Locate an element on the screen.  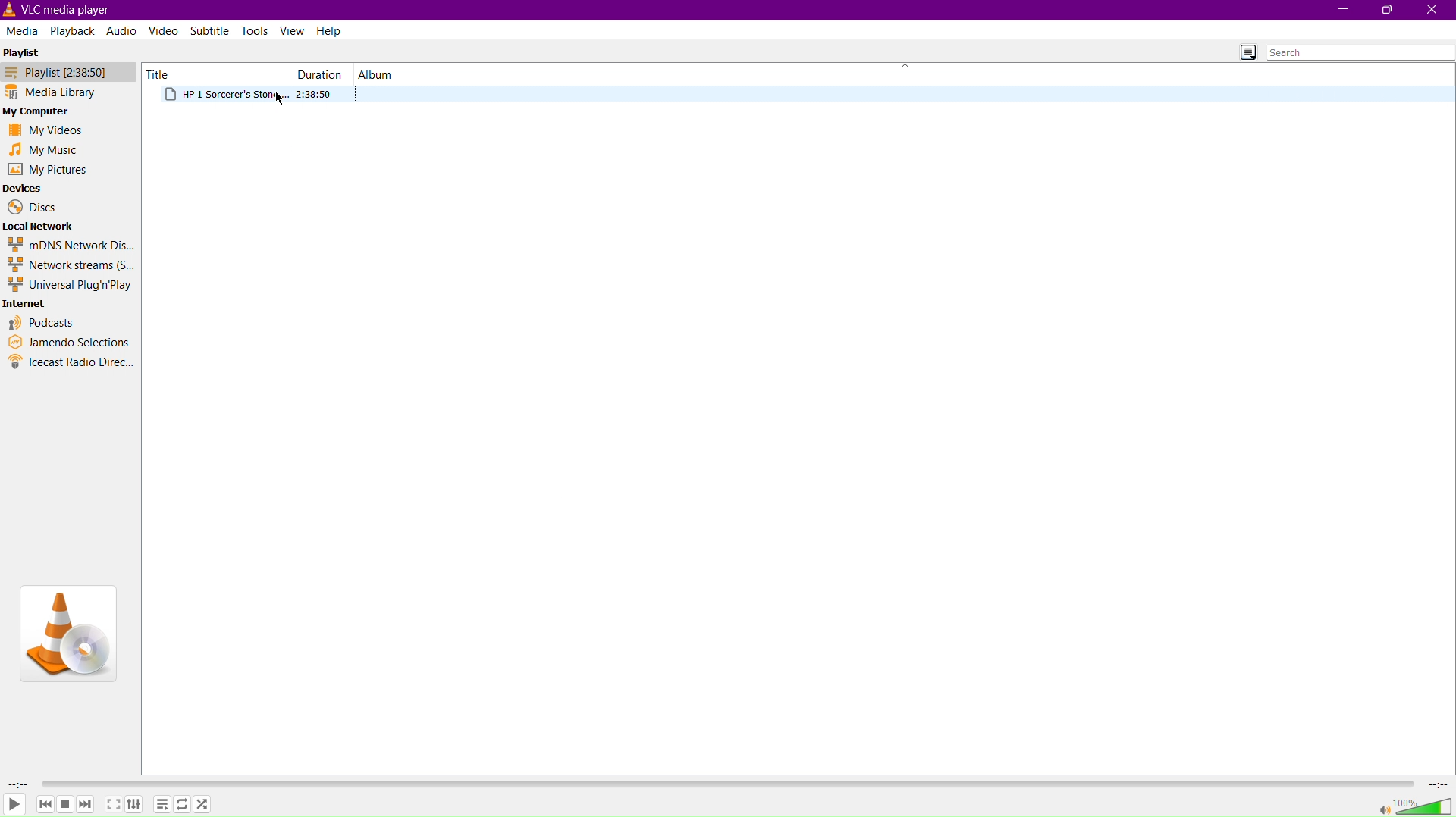
Skip Back is located at coordinates (44, 803).